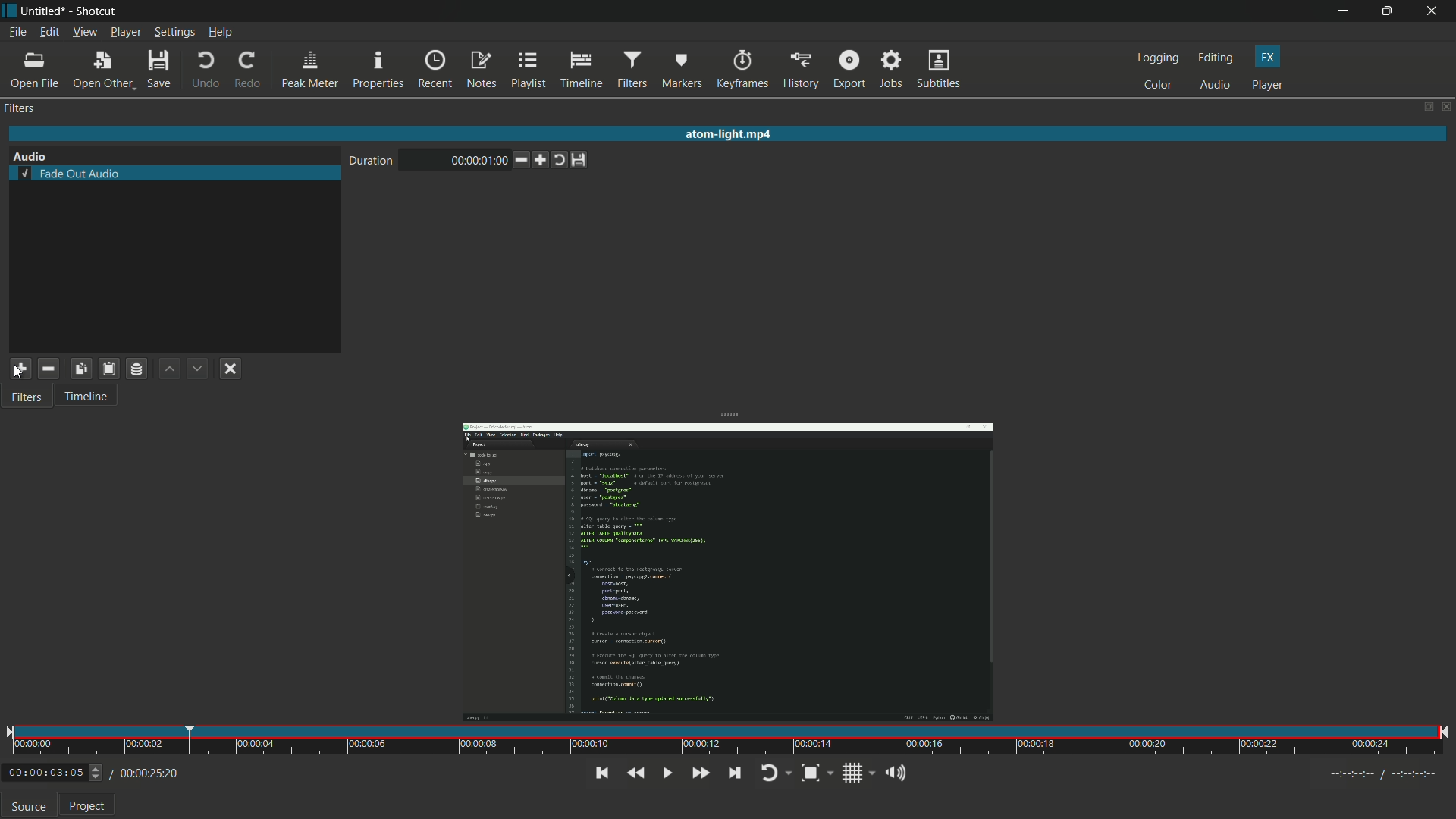 Image resolution: width=1456 pixels, height=819 pixels. What do you see at coordinates (726, 570) in the screenshot?
I see `opened file` at bounding box center [726, 570].